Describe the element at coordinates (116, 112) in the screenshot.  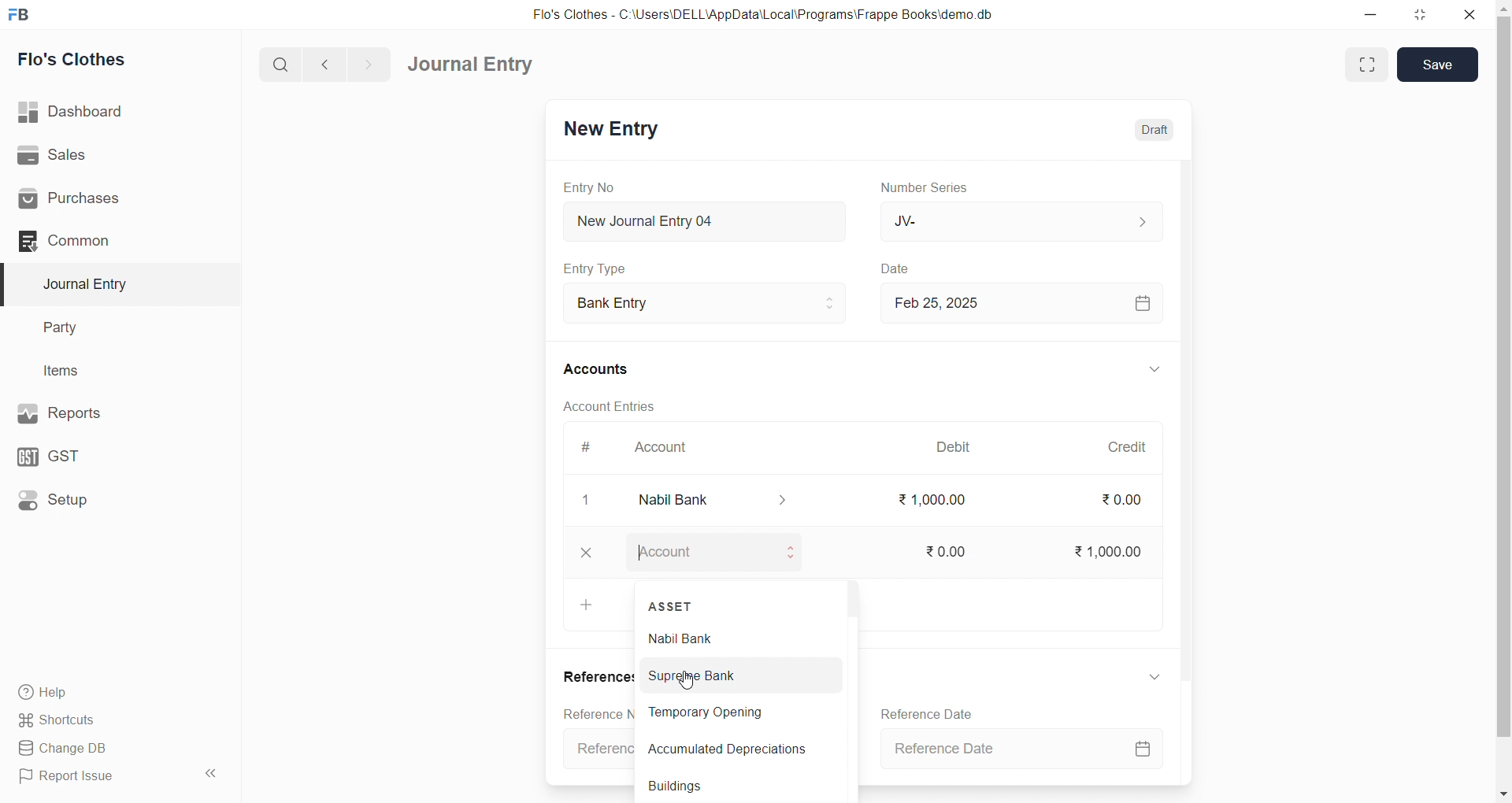
I see `Dashboard` at that location.